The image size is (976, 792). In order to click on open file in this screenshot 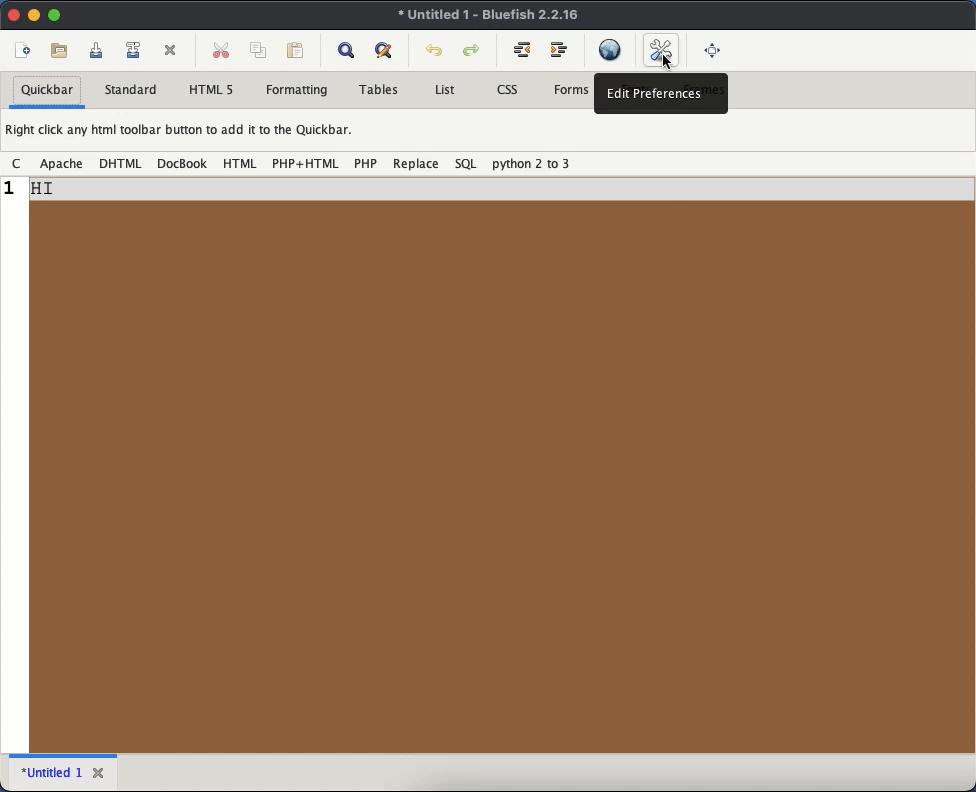, I will do `click(59, 49)`.